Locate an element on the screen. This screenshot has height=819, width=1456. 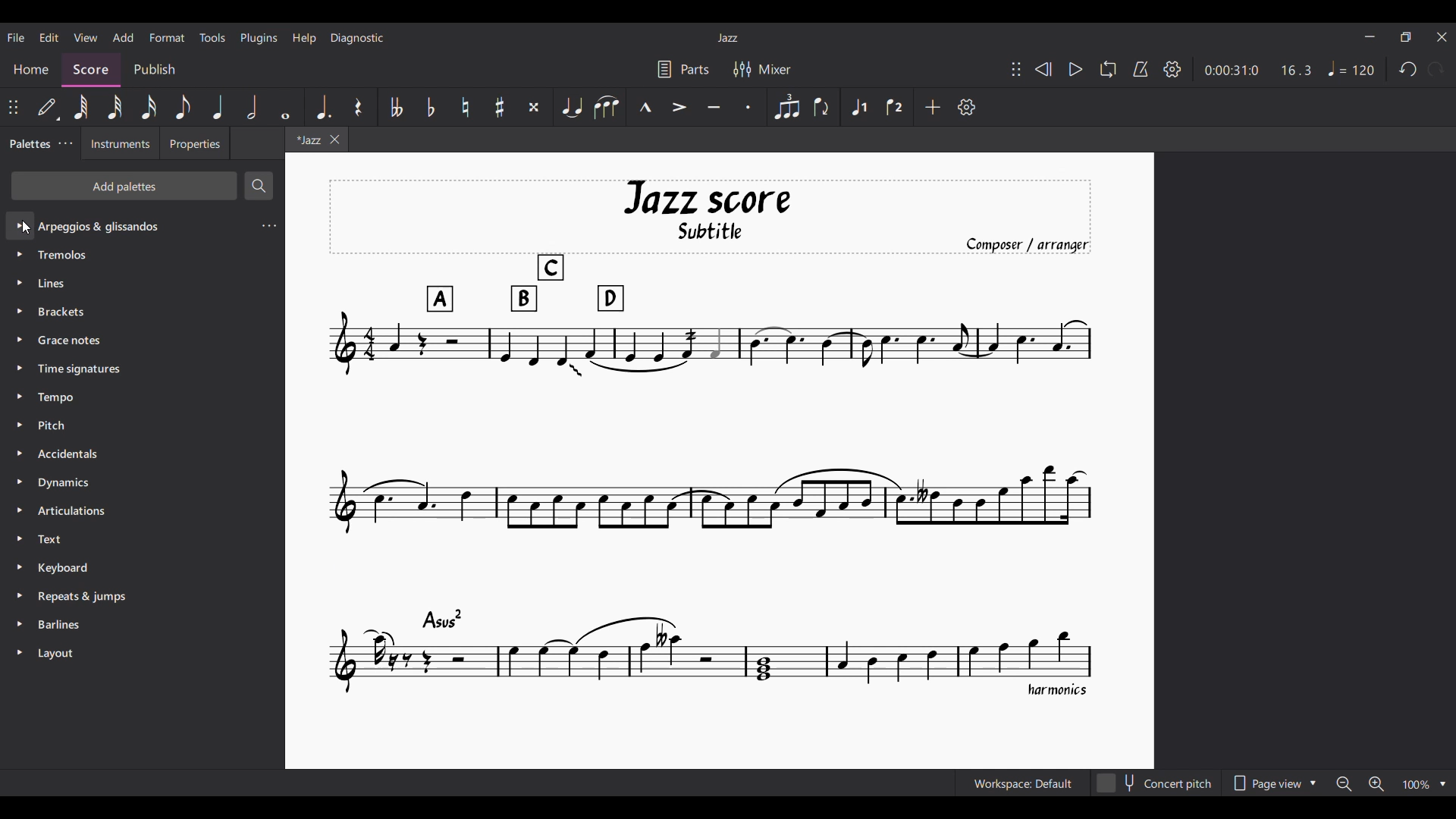
Toggle double sharp is located at coordinates (534, 108).